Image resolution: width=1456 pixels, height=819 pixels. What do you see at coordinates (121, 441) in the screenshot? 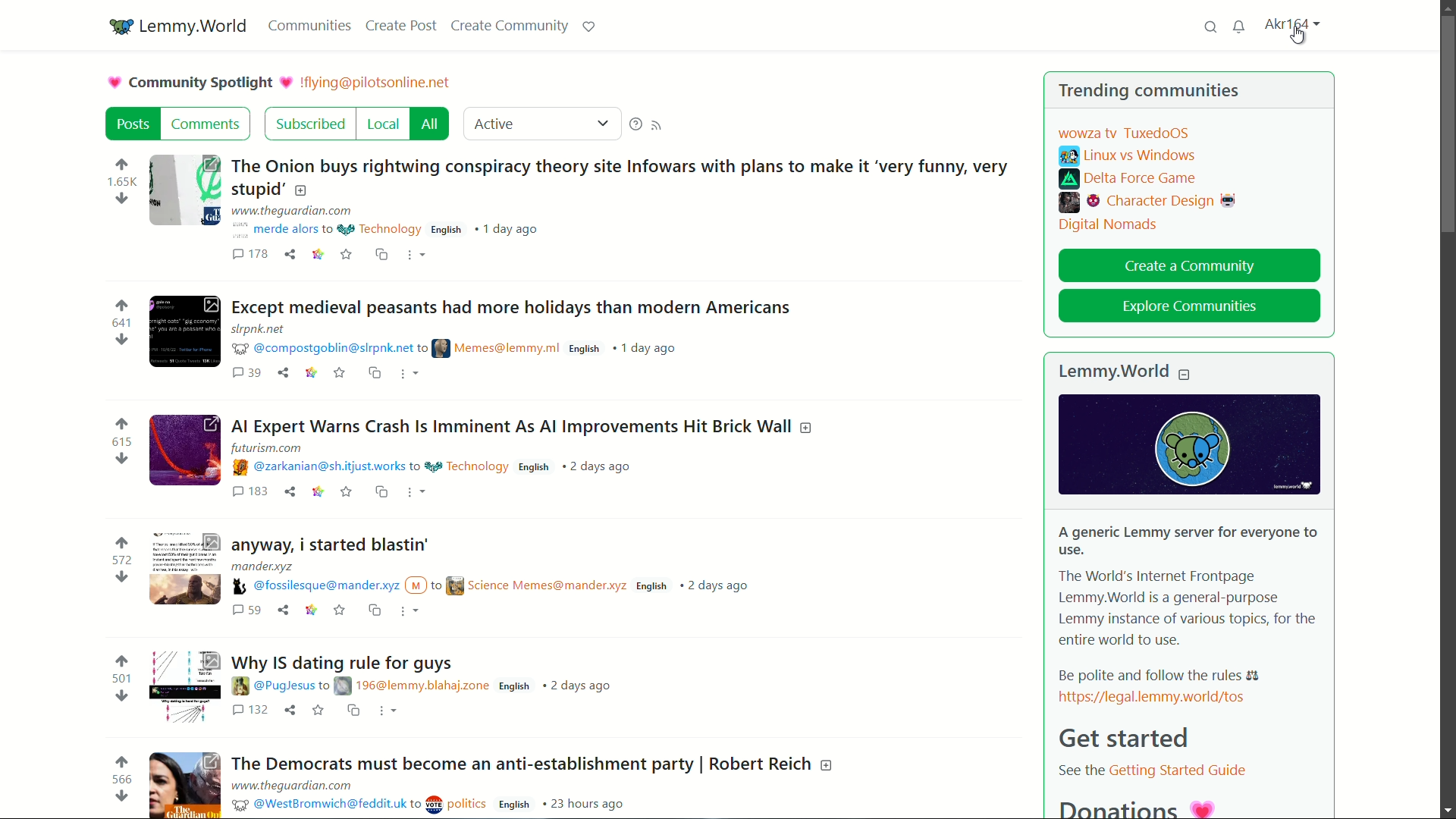
I see `number of votes` at bounding box center [121, 441].